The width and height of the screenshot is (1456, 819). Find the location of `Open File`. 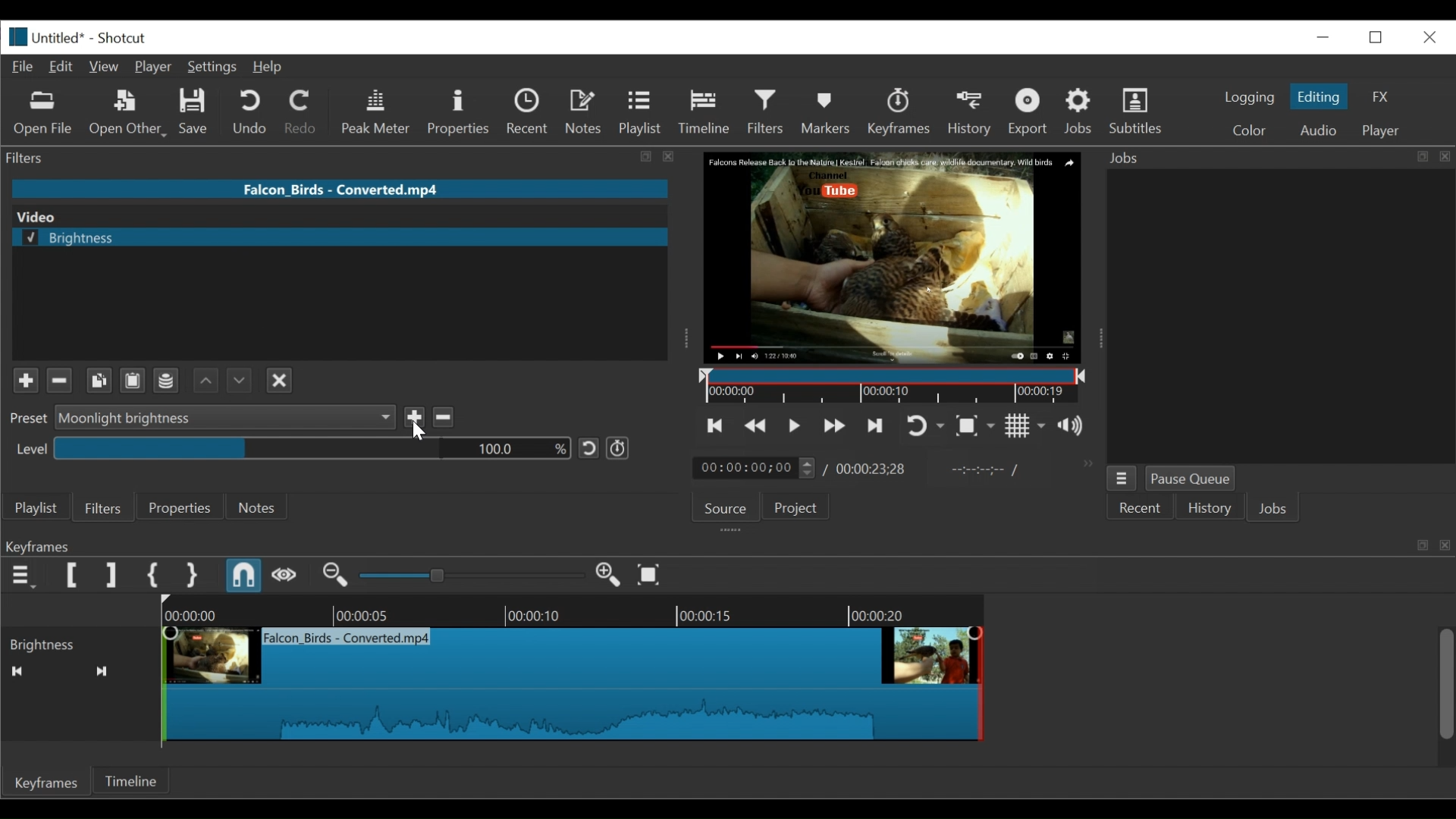

Open File is located at coordinates (44, 115).